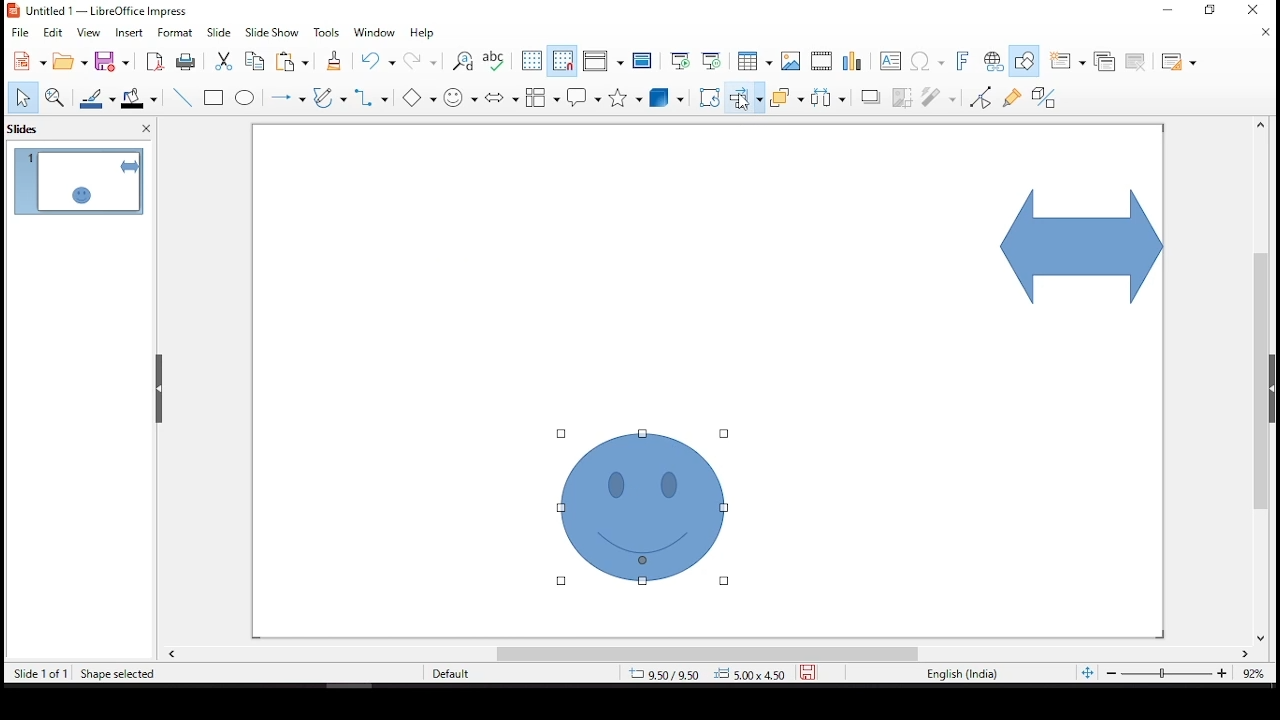 This screenshot has height=720, width=1280. What do you see at coordinates (585, 99) in the screenshot?
I see `callout shapes` at bounding box center [585, 99].